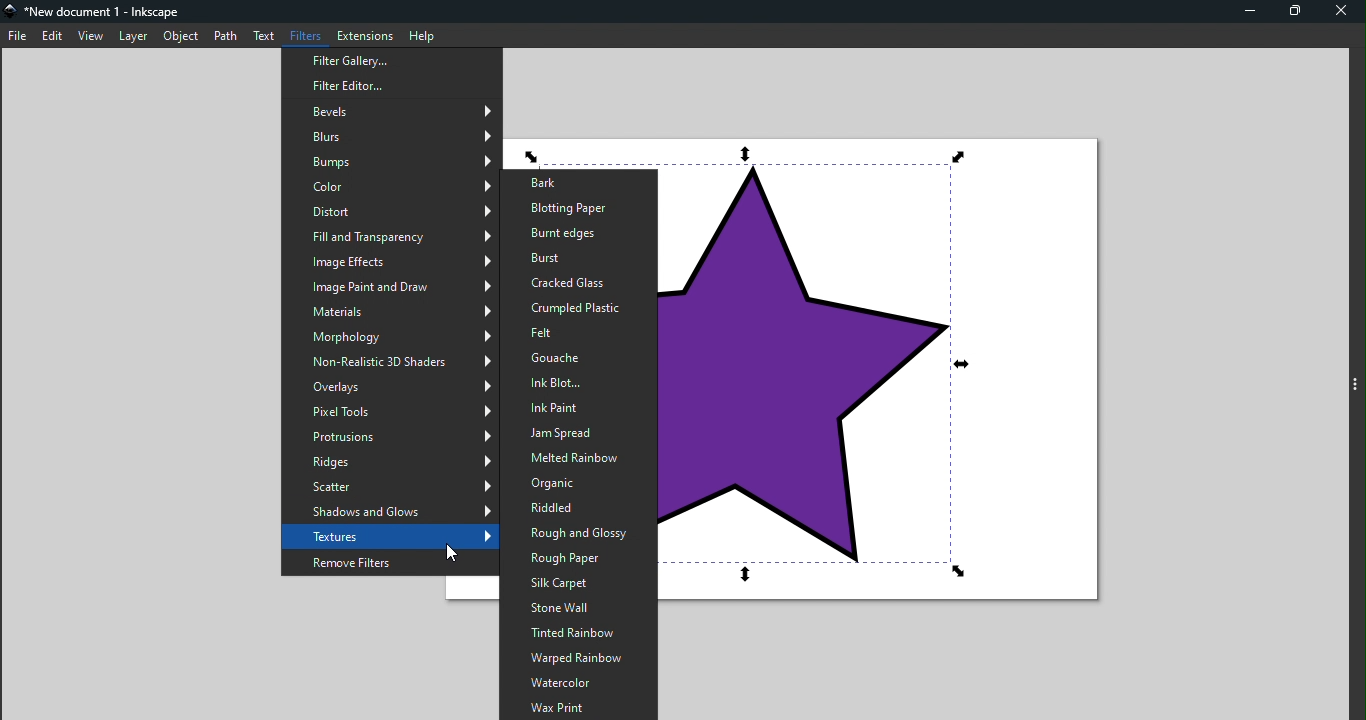 This screenshot has height=720, width=1366. Describe the element at coordinates (580, 683) in the screenshot. I see `Watercolor` at that location.